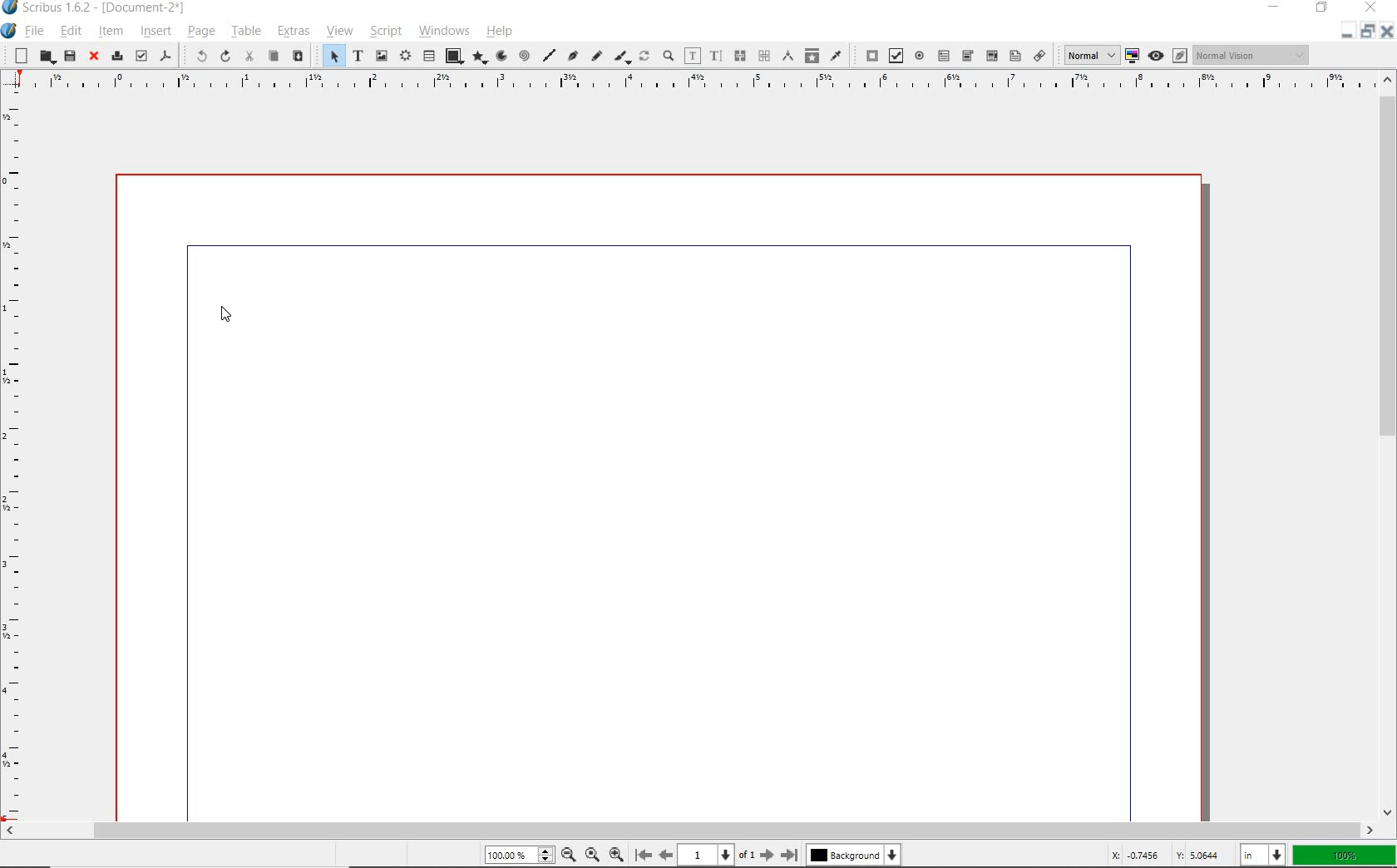 The image size is (1397, 868). I want to click on move to previous, so click(665, 853).